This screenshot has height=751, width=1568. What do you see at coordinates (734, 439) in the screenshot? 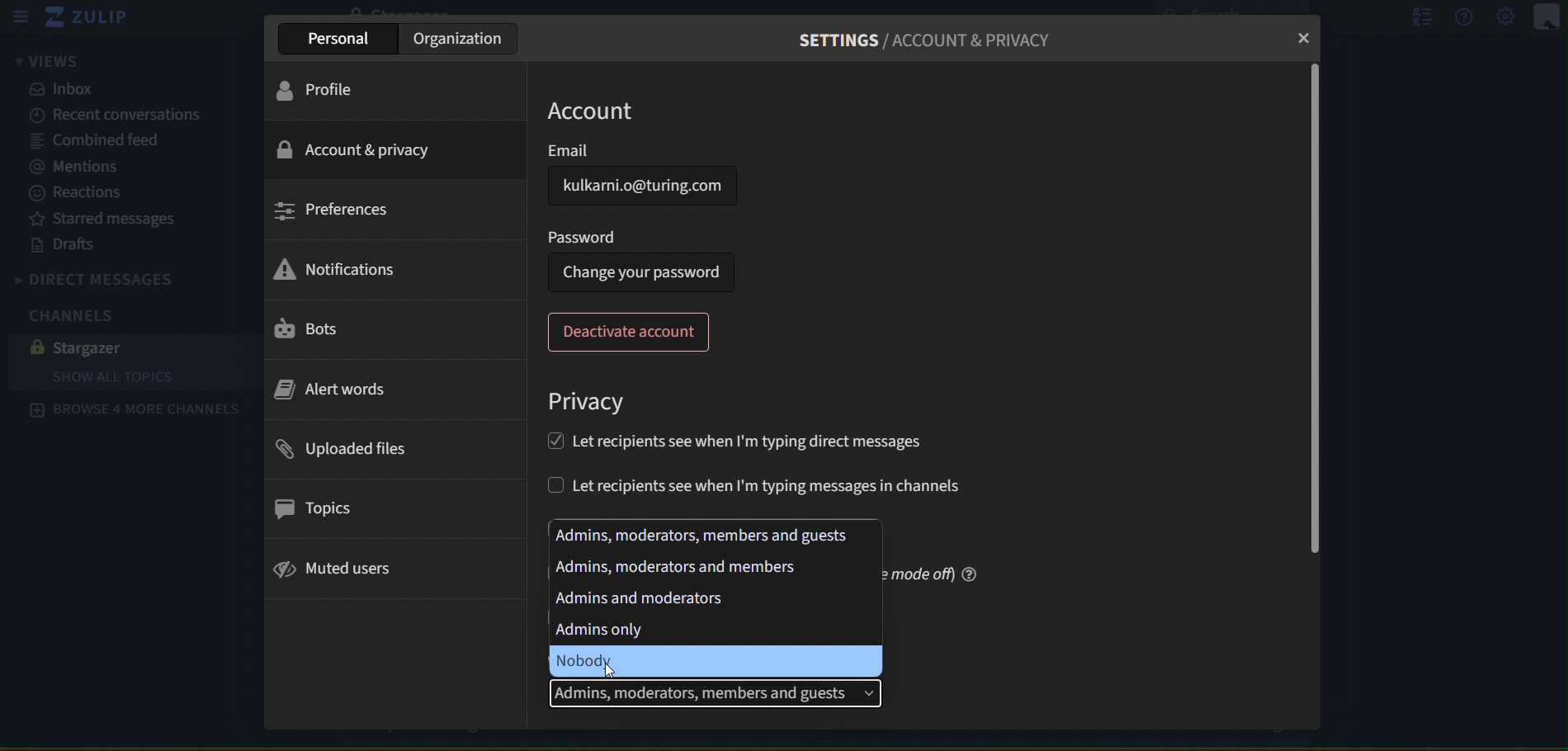
I see `let recipients see when Im typing direct messages` at bounding box center [734, 439].